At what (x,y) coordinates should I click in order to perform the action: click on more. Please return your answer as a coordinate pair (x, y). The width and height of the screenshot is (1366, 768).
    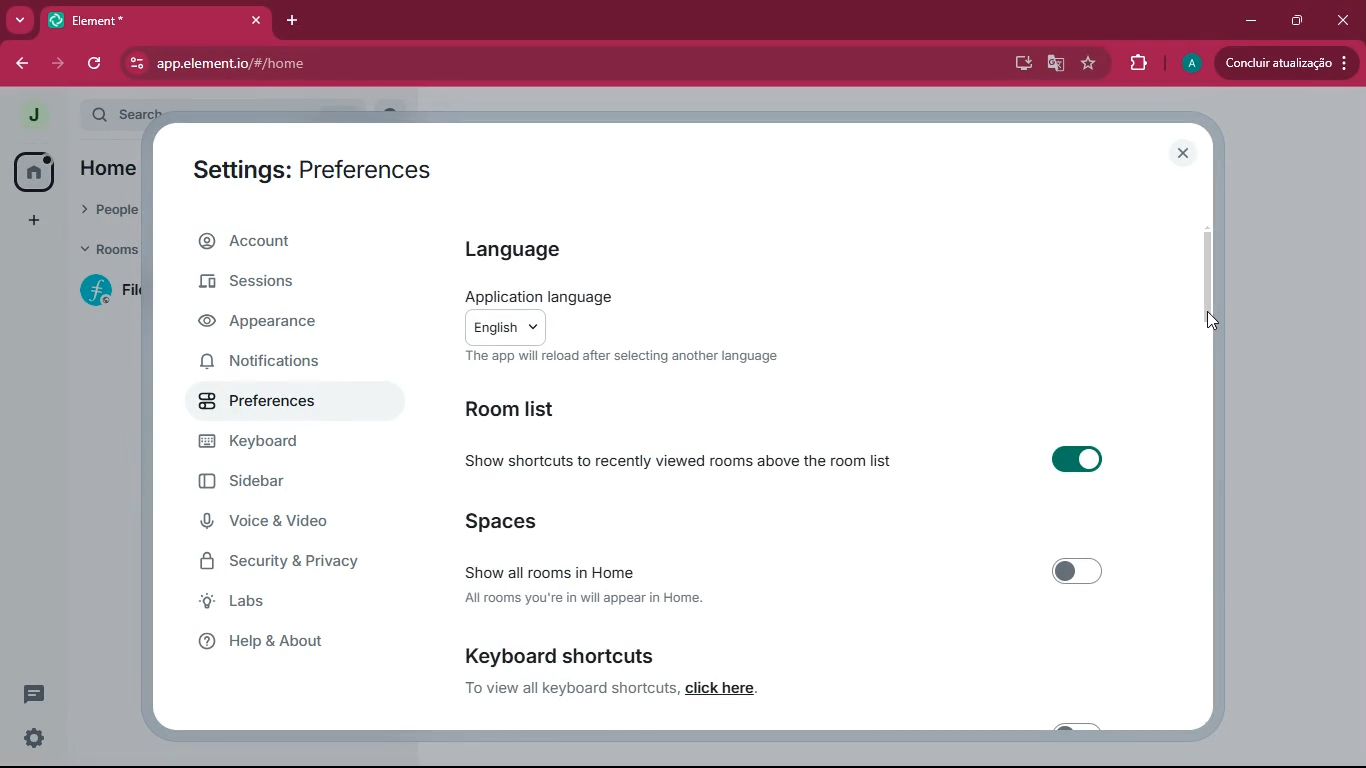
    Looking at the image, I should click on (16, 21).